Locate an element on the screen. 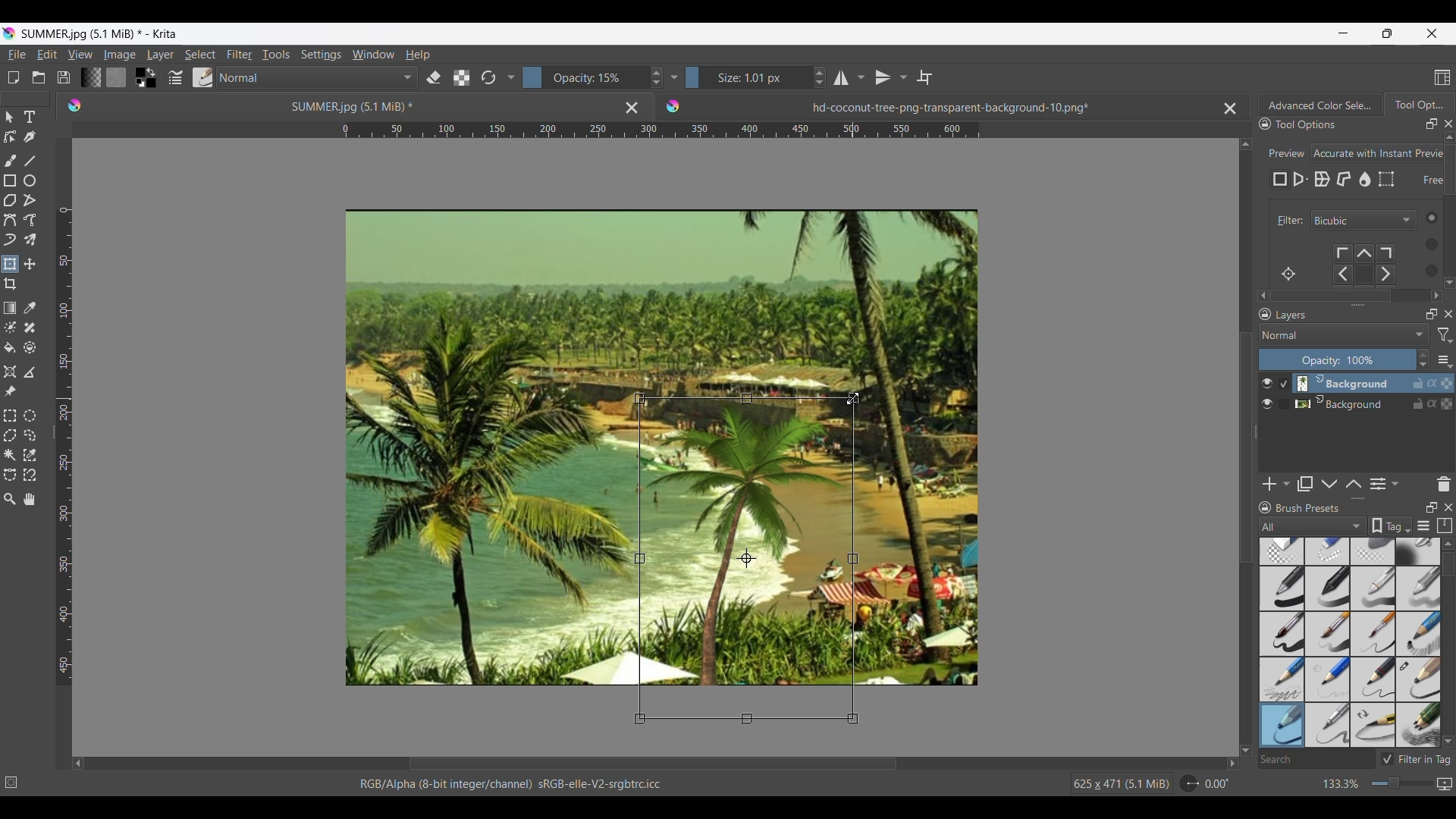 The width and height of the screenshot is (1456, 819). View is located at coordinates (80, 55).